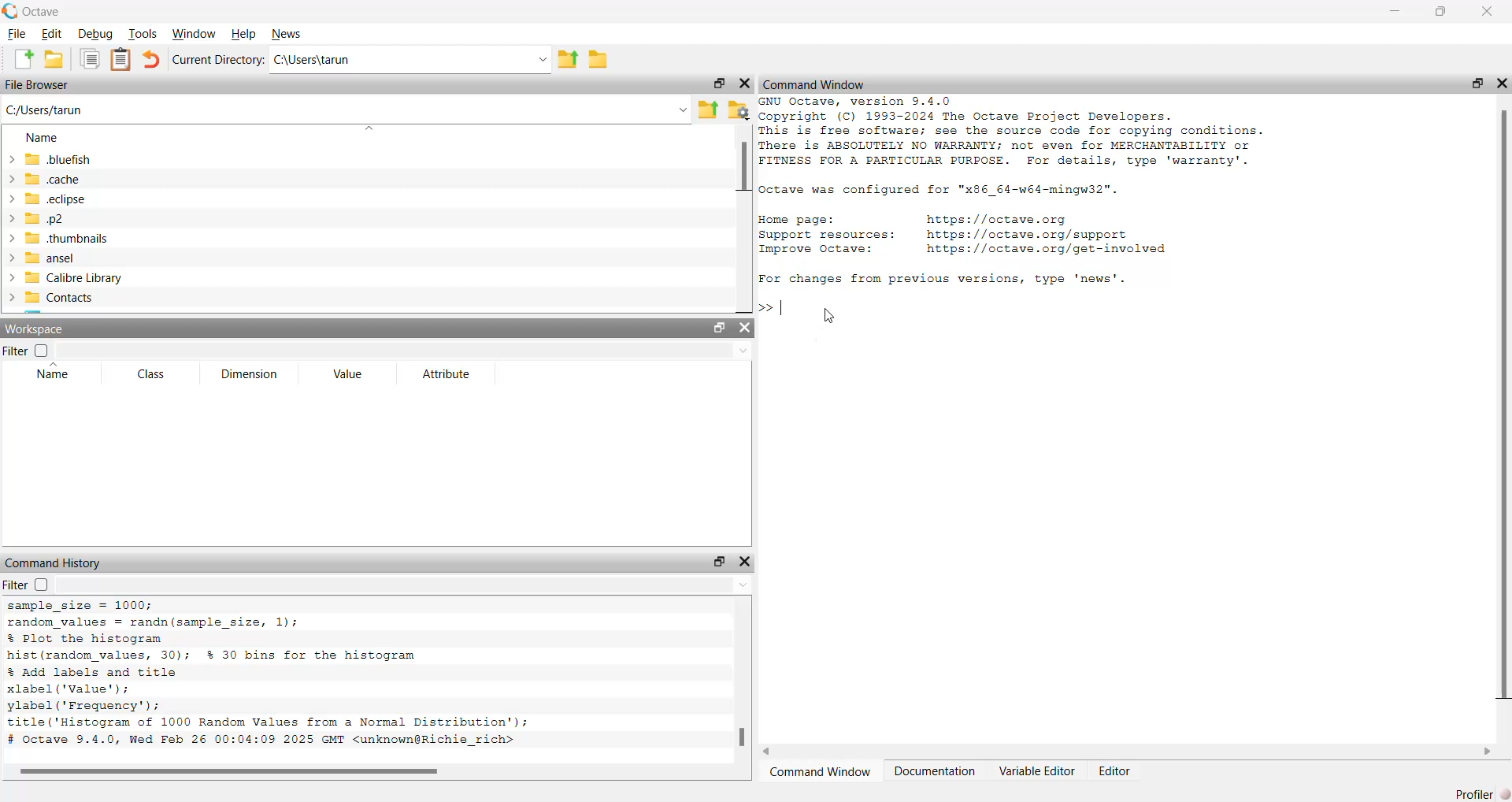 The width and height of the screenshot is (1512, 802). What do you see at coordinates (826, 236) in the screenshot?
I see `Support resources:` at bounding box center [826, 236].